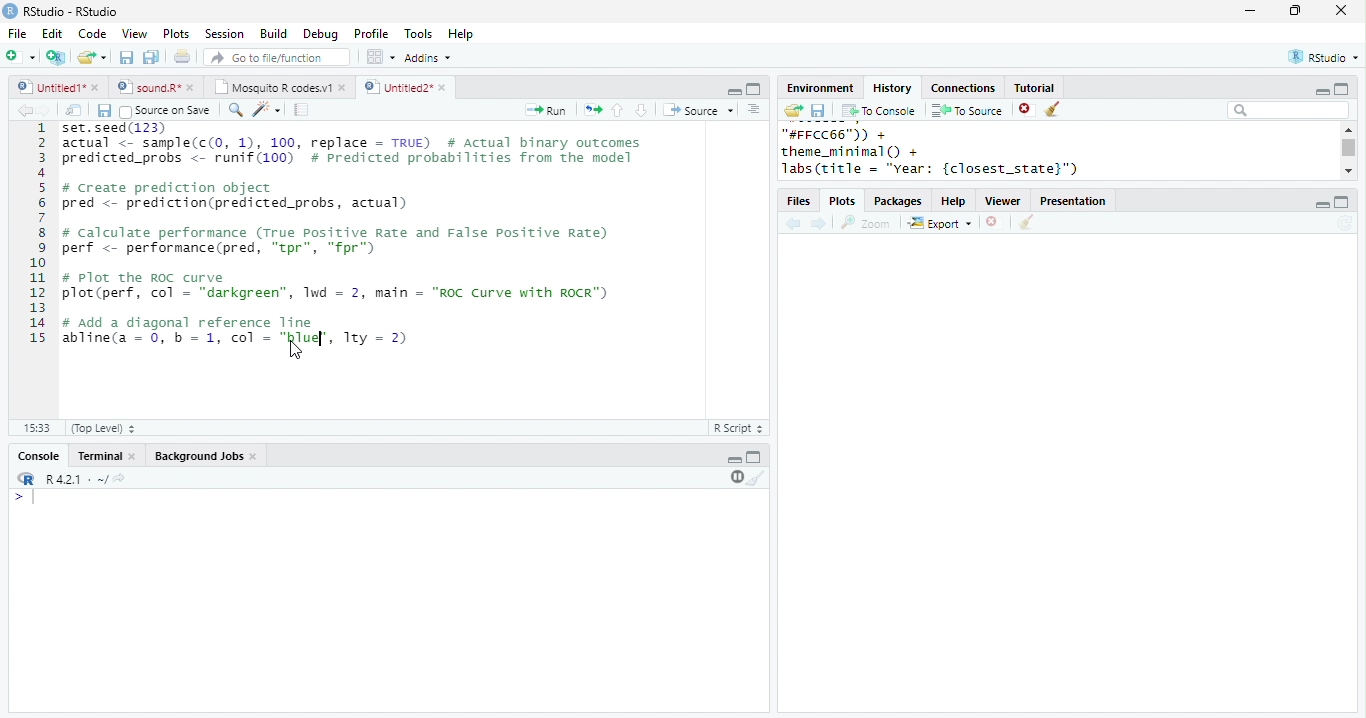  I want to click on To source, so click(967, 110).